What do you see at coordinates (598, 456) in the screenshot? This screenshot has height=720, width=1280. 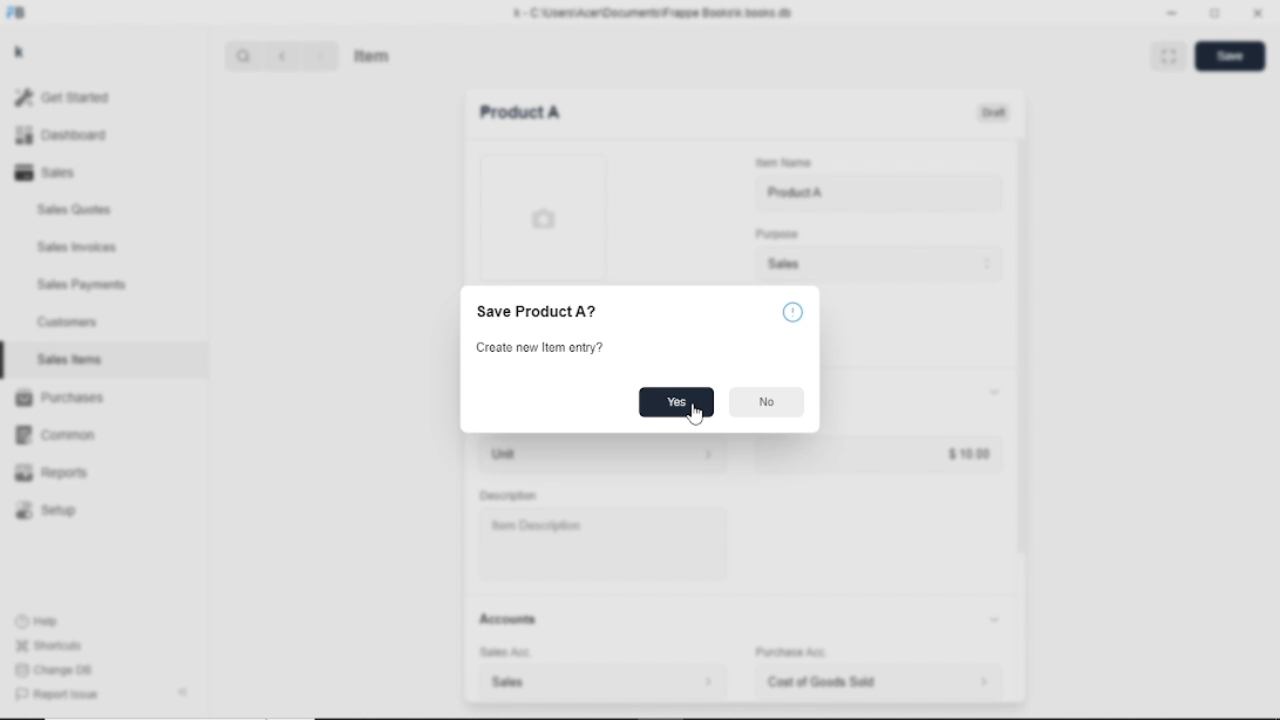 I see `Unit` at bounding box center [598, 456].